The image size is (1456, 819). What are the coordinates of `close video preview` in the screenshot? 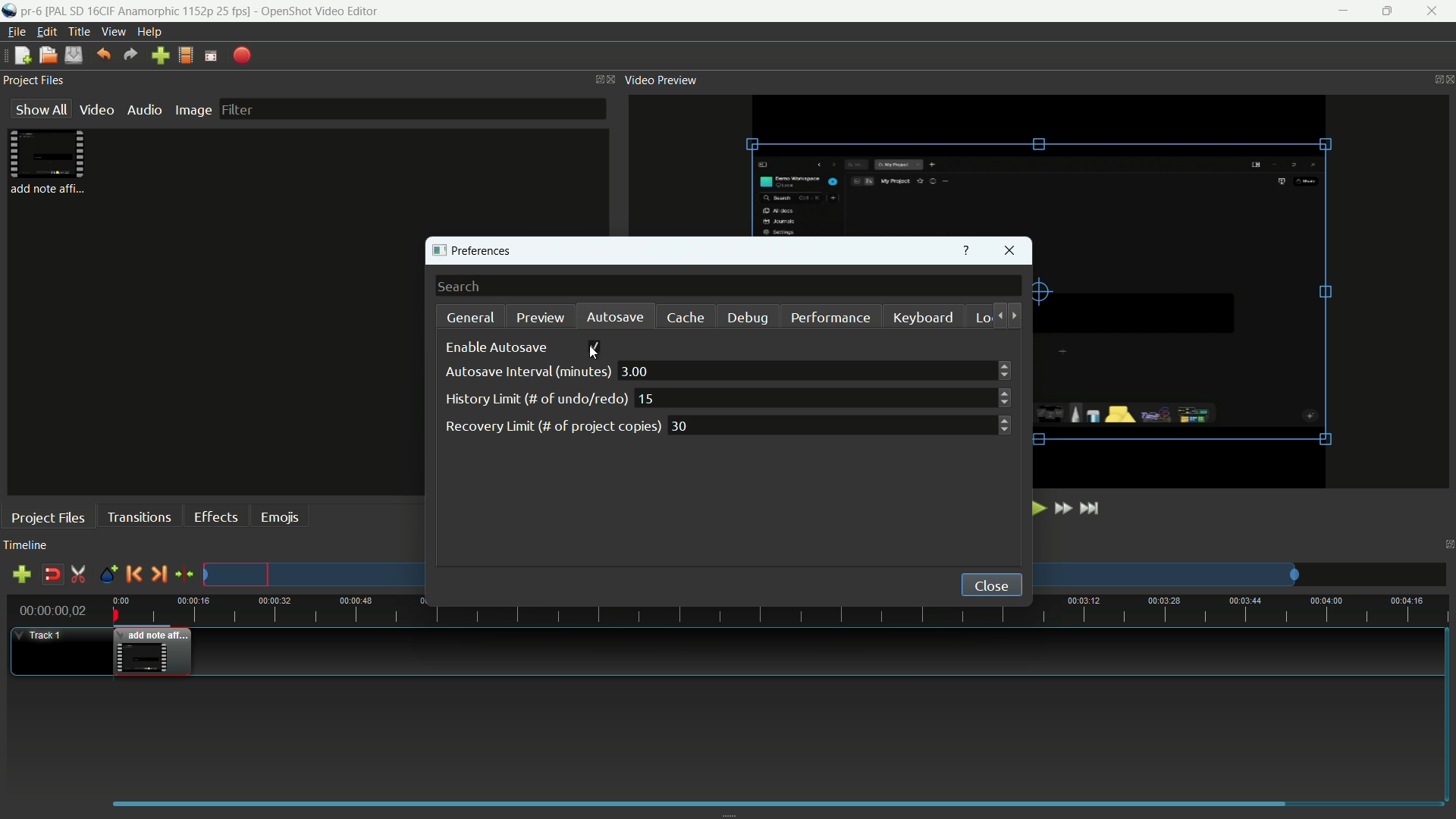 It's located at (1450, 80).